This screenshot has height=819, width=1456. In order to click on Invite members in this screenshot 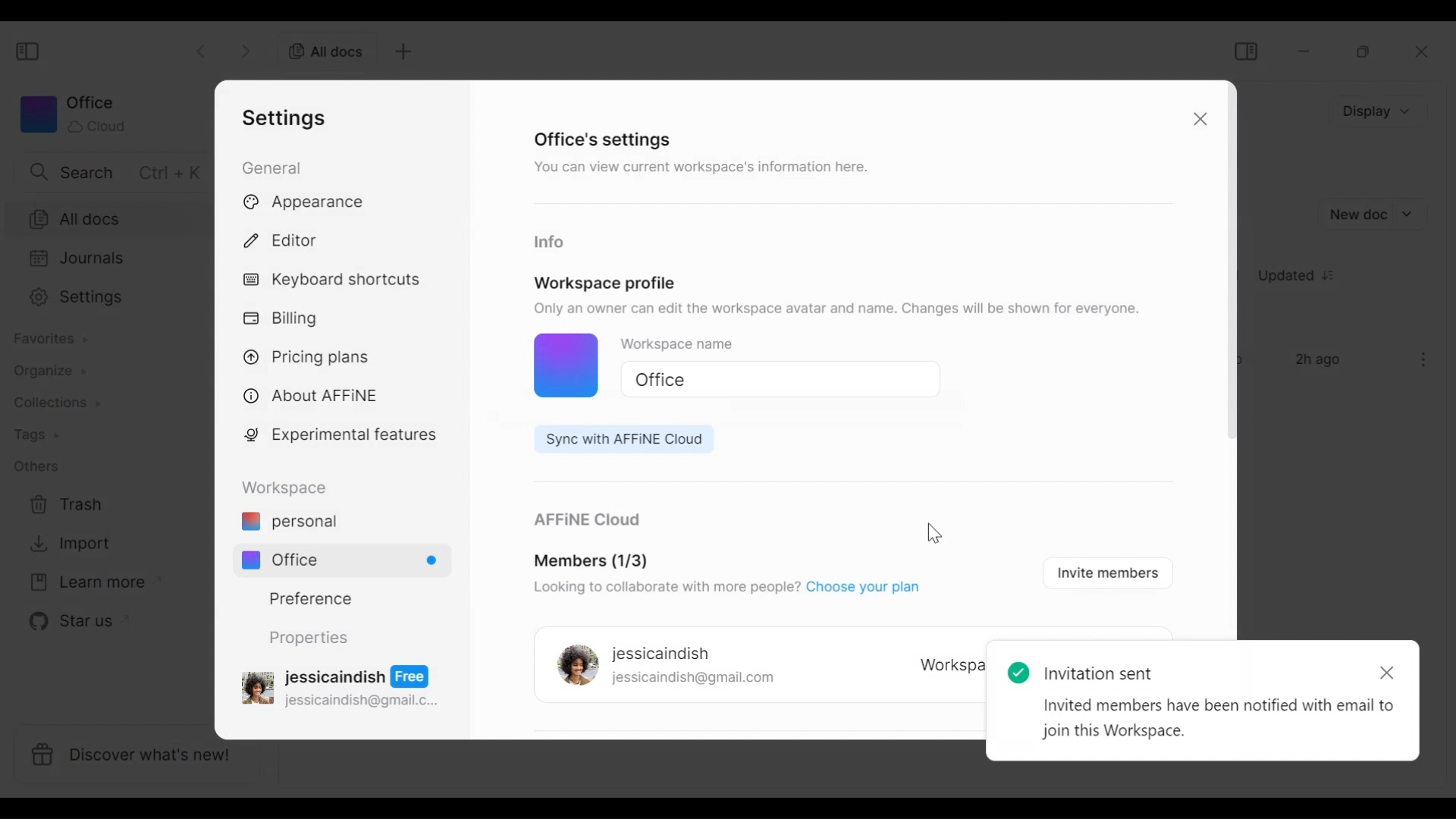, I will do `click(1104, 572)`.